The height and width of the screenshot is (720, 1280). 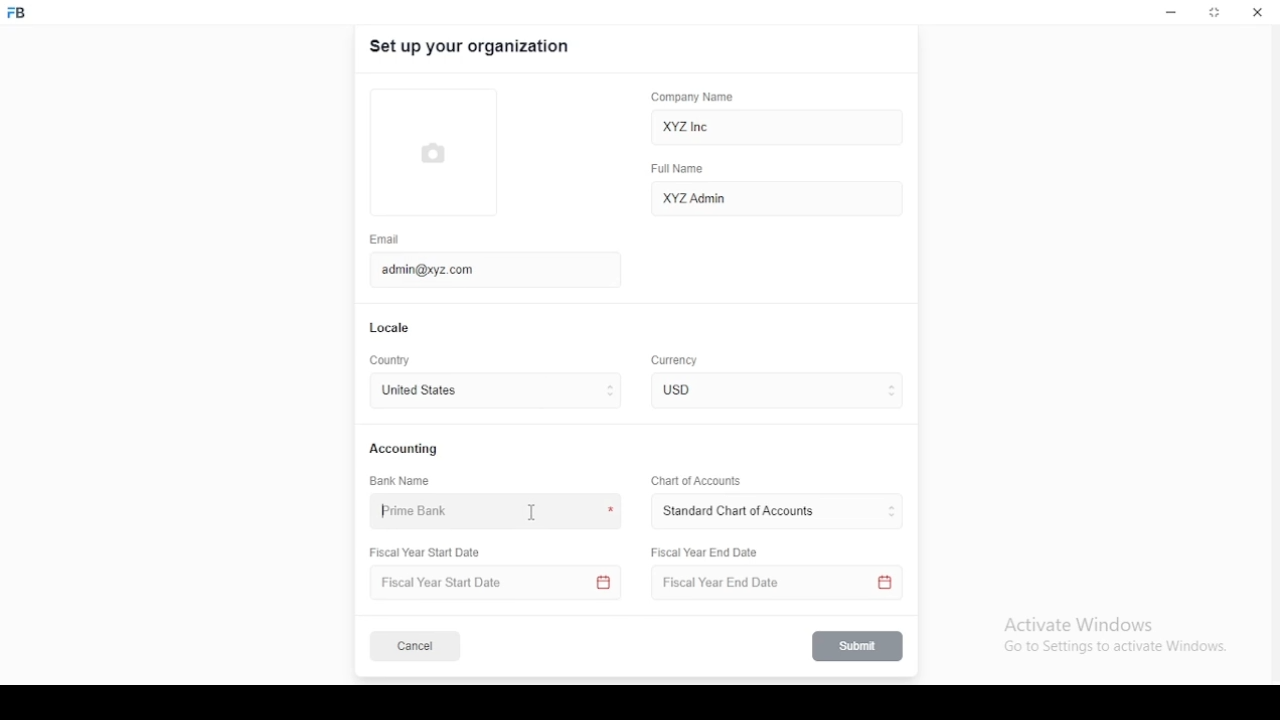 I want to click on united states, so click(x=418, y=392).